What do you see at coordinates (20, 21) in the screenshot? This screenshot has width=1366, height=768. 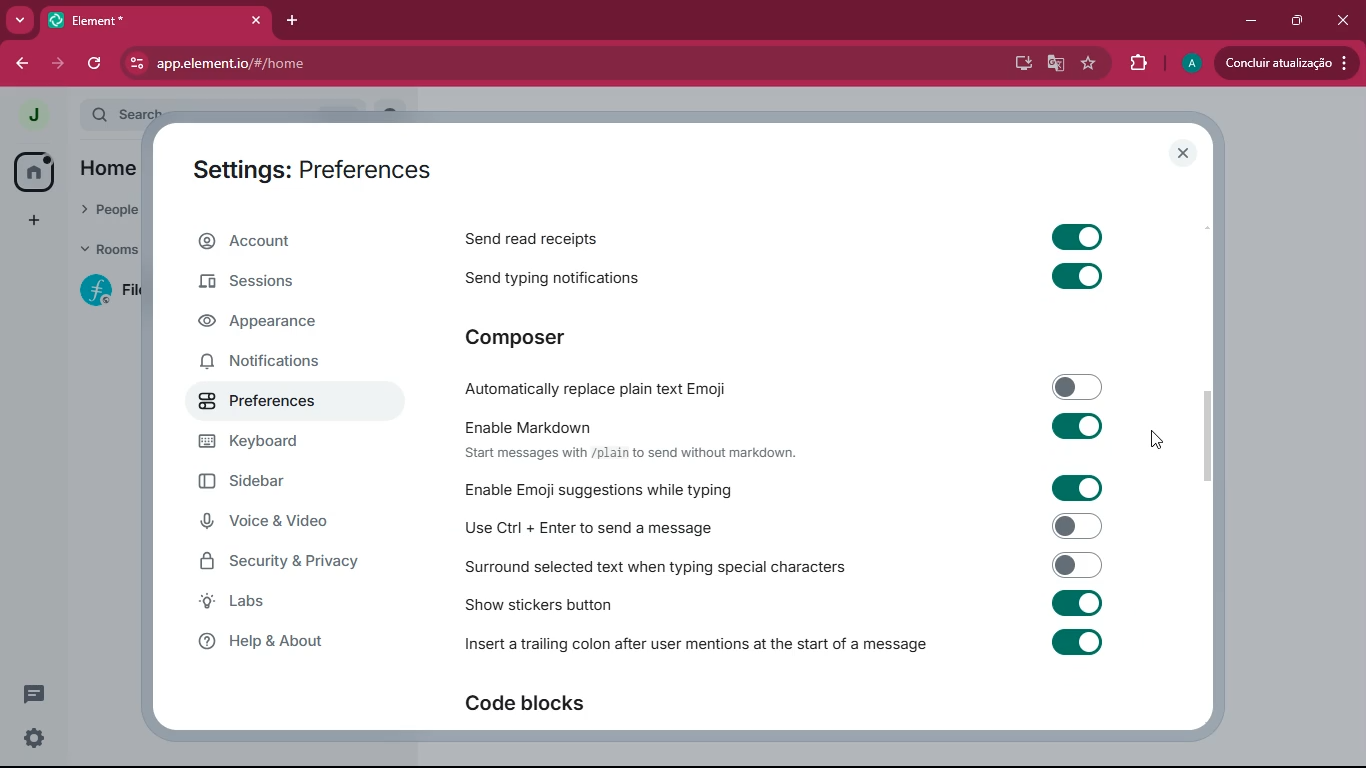 I see `more` at bounding box center [20, 21].